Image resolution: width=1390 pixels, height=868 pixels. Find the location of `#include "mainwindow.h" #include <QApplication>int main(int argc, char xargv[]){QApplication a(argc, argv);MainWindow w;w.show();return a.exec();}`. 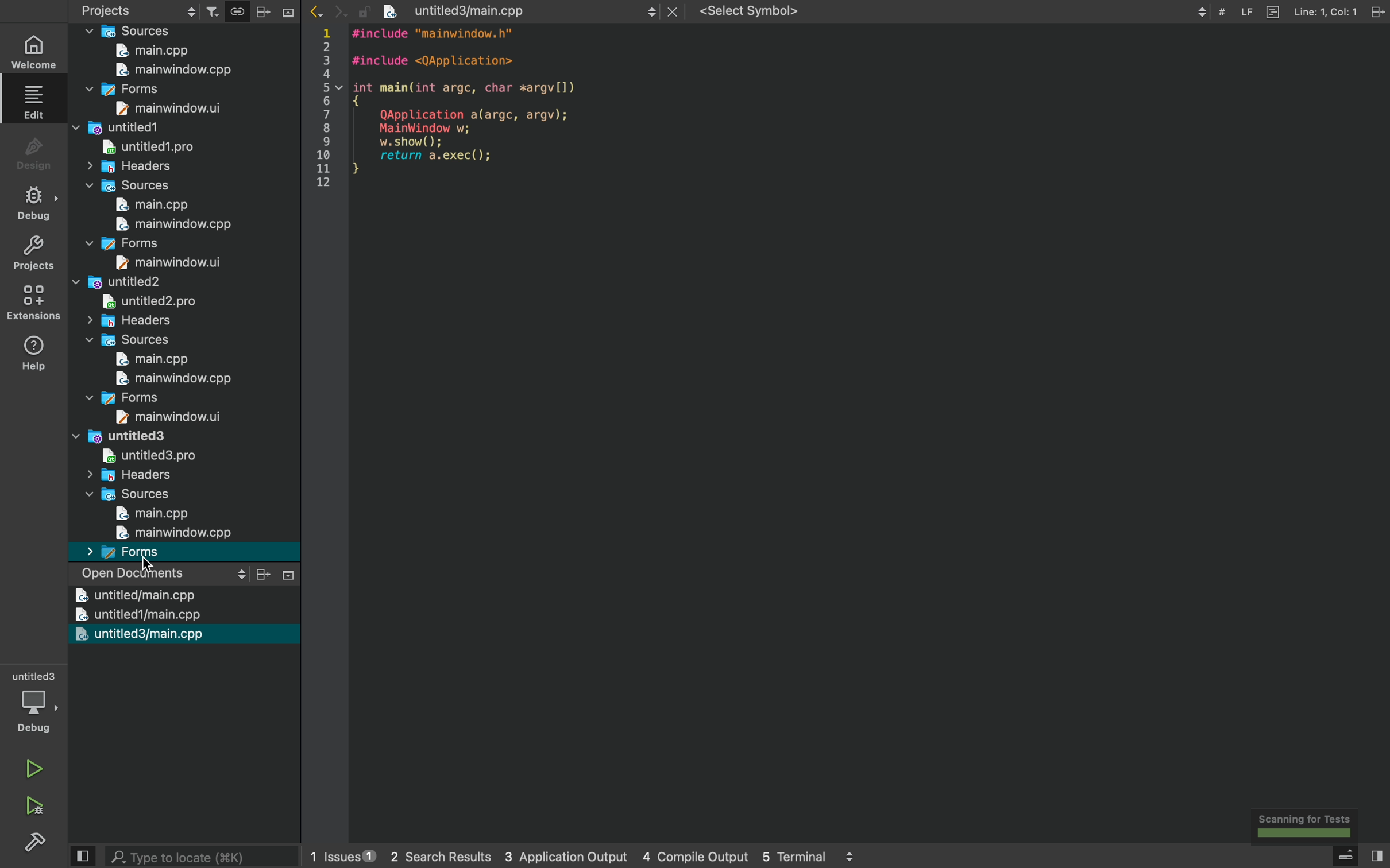

#include "mainwindow.h" #include <QApplication>int main(int argc, char xargv[]){QApplication a(argc, argv);MainWindow w;w.show();return a.exec();} is located at coordinates (491, 106).